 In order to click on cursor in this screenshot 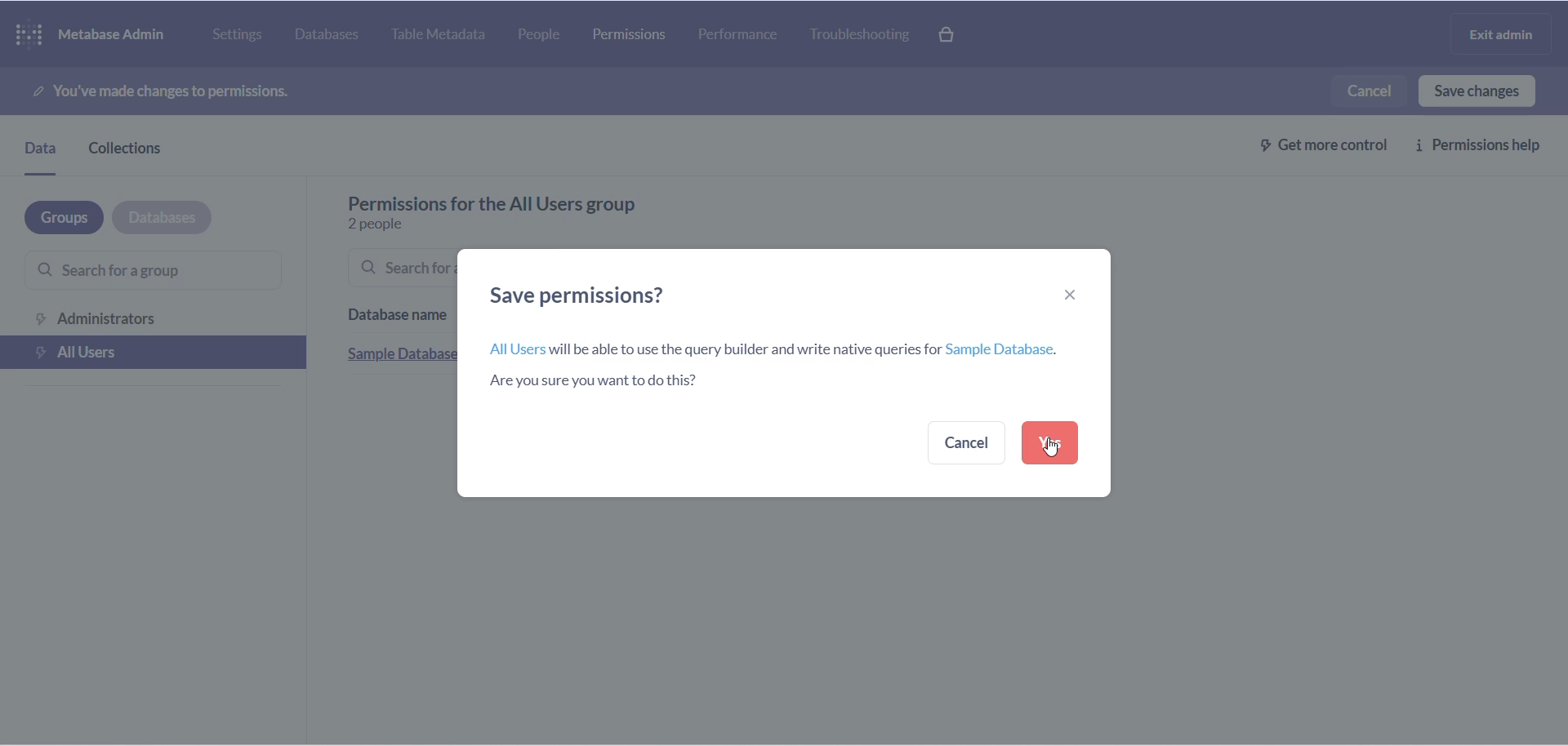, I will do `click(1049, 446)`.